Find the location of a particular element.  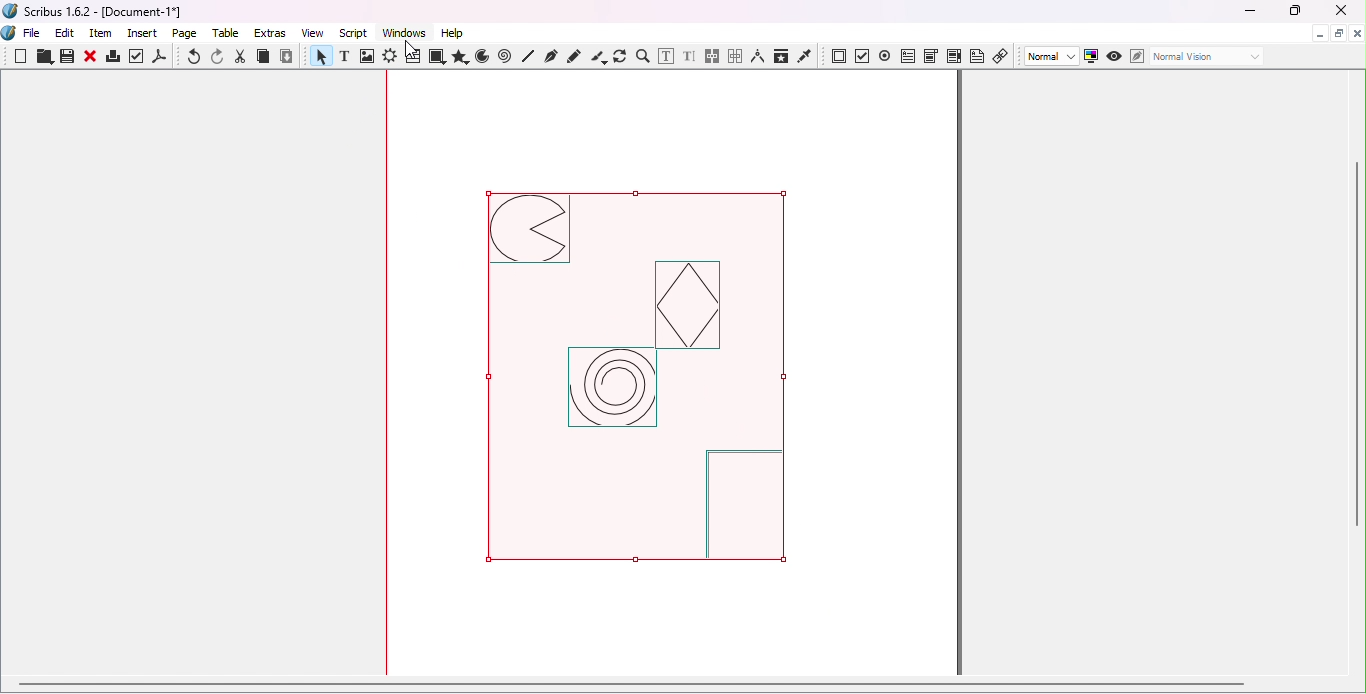

Copy item properties is located at coordinates (780, 56).